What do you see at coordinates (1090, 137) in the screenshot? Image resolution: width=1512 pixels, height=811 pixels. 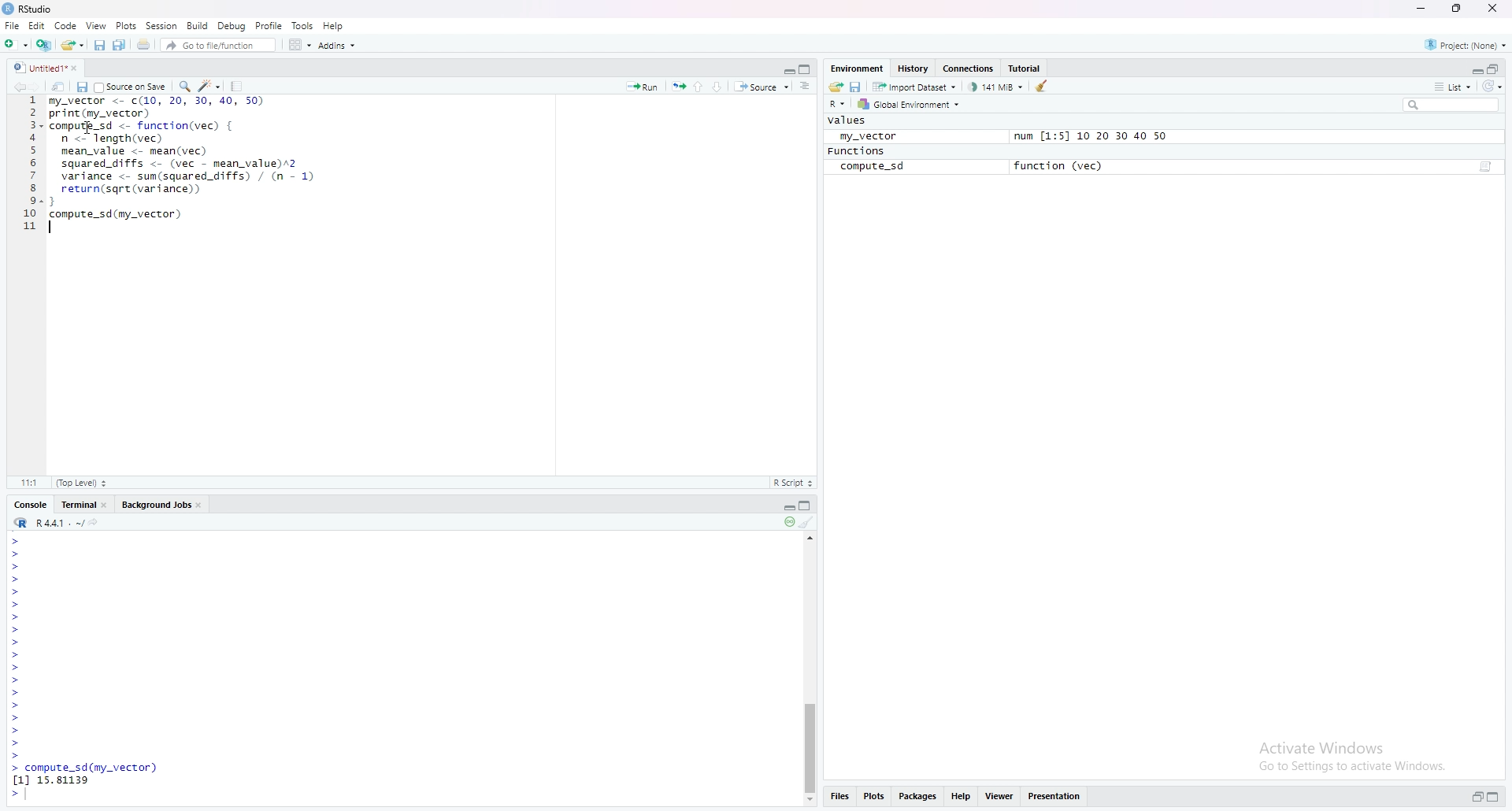 I see `num [1:5] 10 20 30 40 50` at bounding box center [1090, 137].